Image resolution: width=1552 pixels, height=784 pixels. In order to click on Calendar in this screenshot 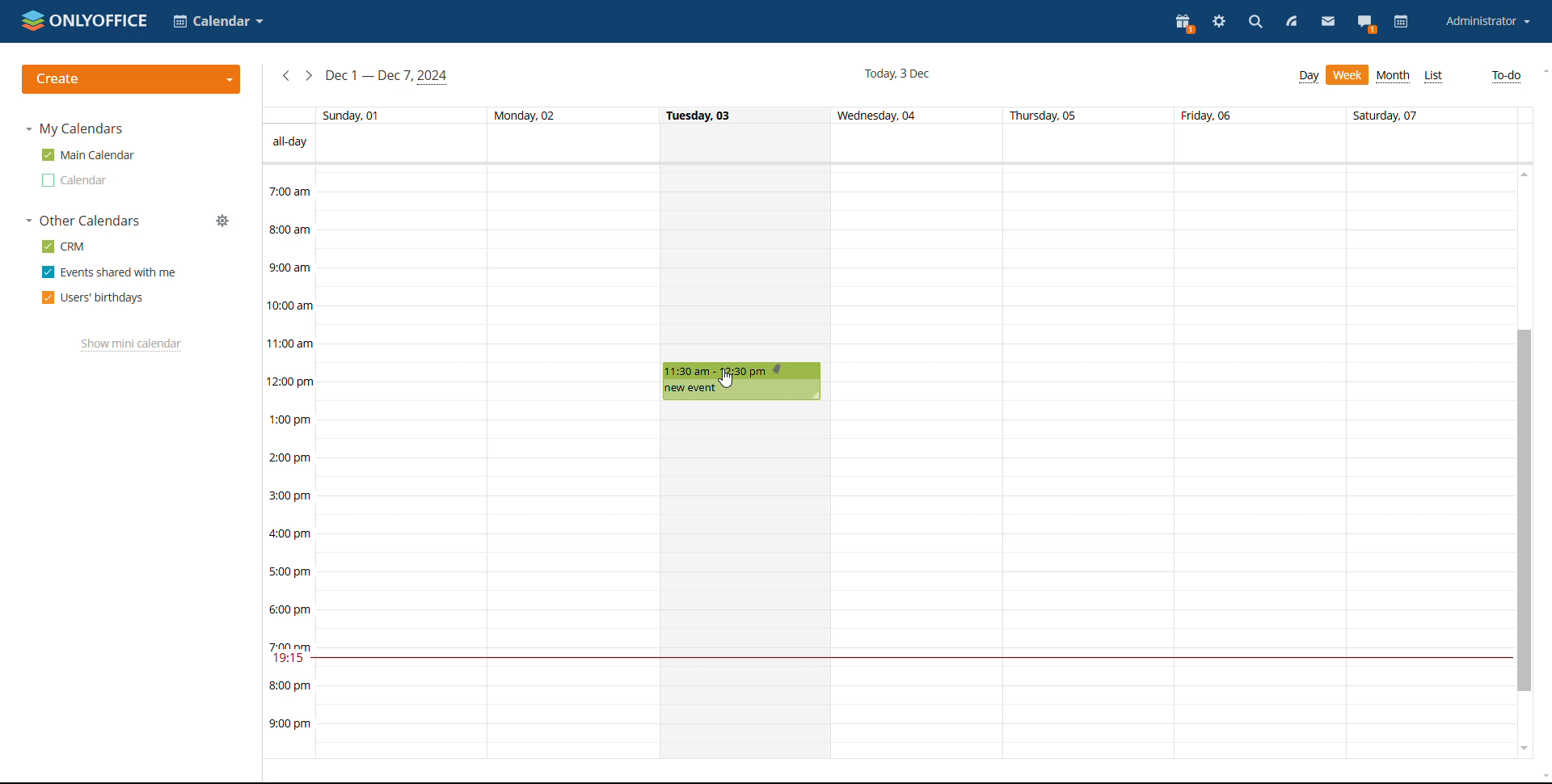, I will do `click(72, 181)`.